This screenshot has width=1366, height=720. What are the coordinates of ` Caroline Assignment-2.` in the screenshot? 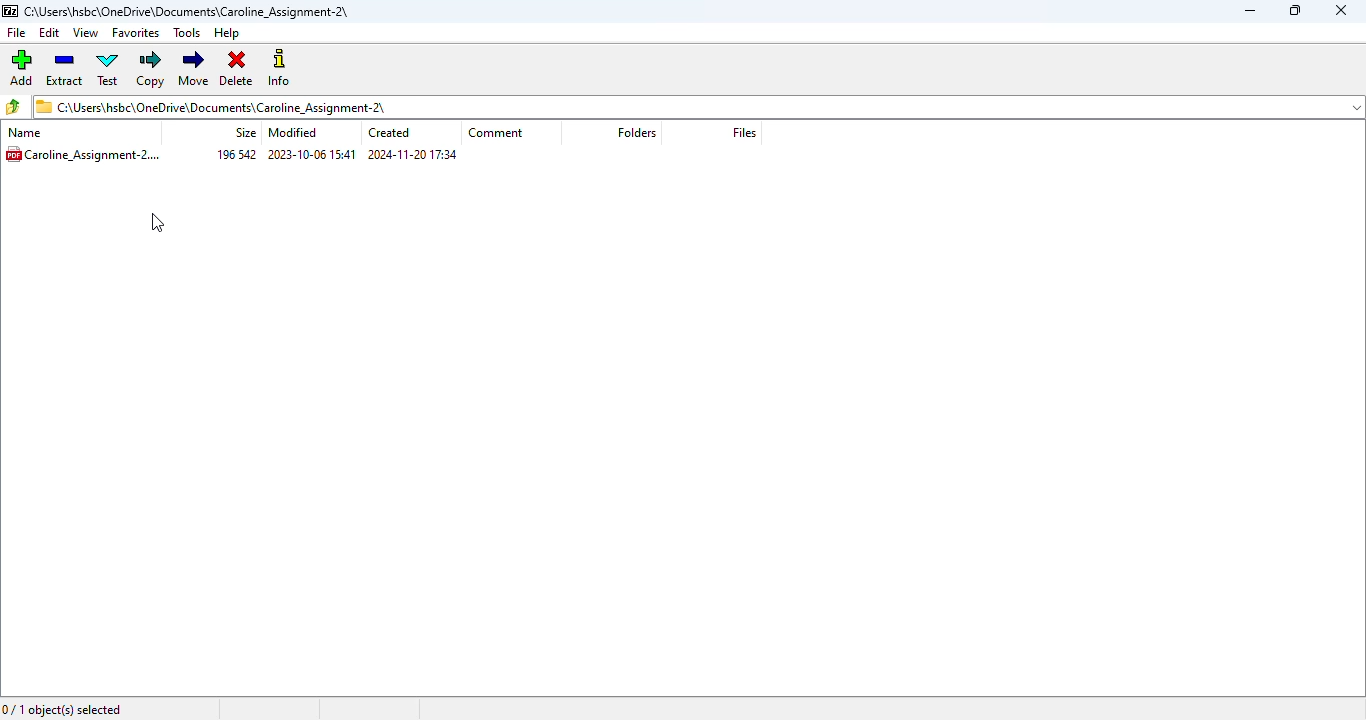 It's located at (87, 153).